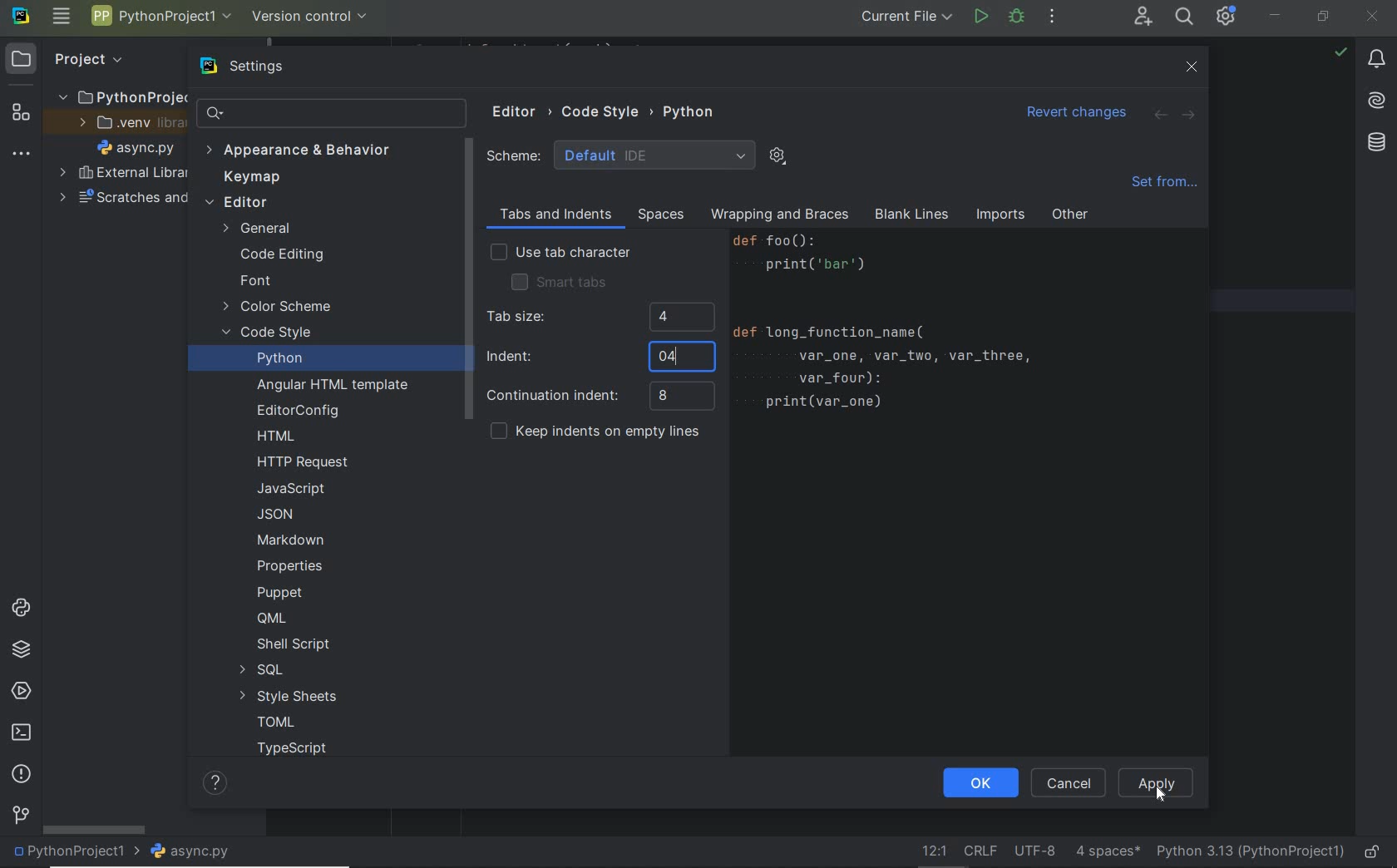 The width and height of the screenshot is (1397, 868). What do you see at coordinates (20, 775) in the screenshot?
I see `problems` at bounding box center [20, 775].